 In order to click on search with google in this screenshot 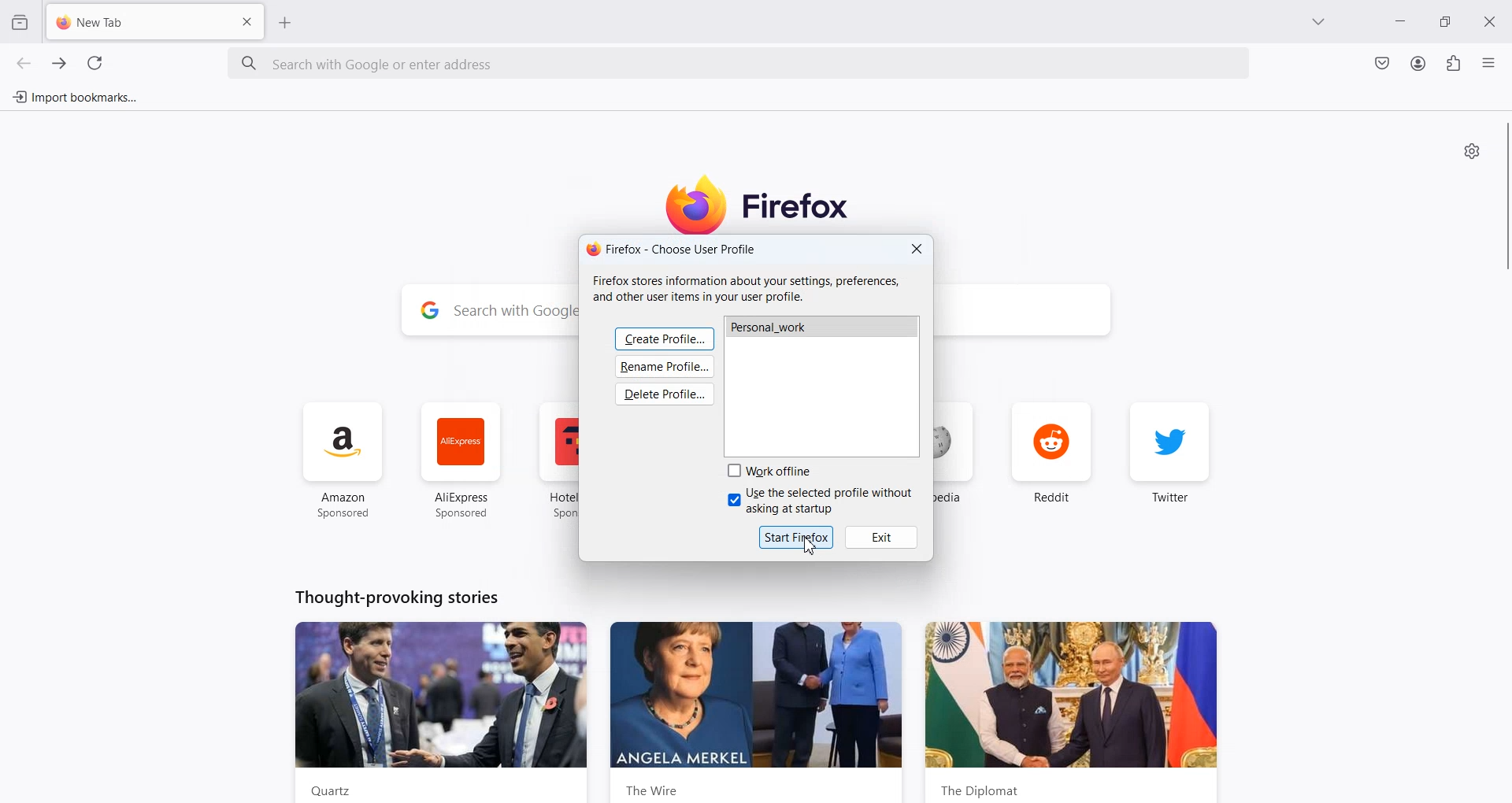, I will do `click(513, 313)`.